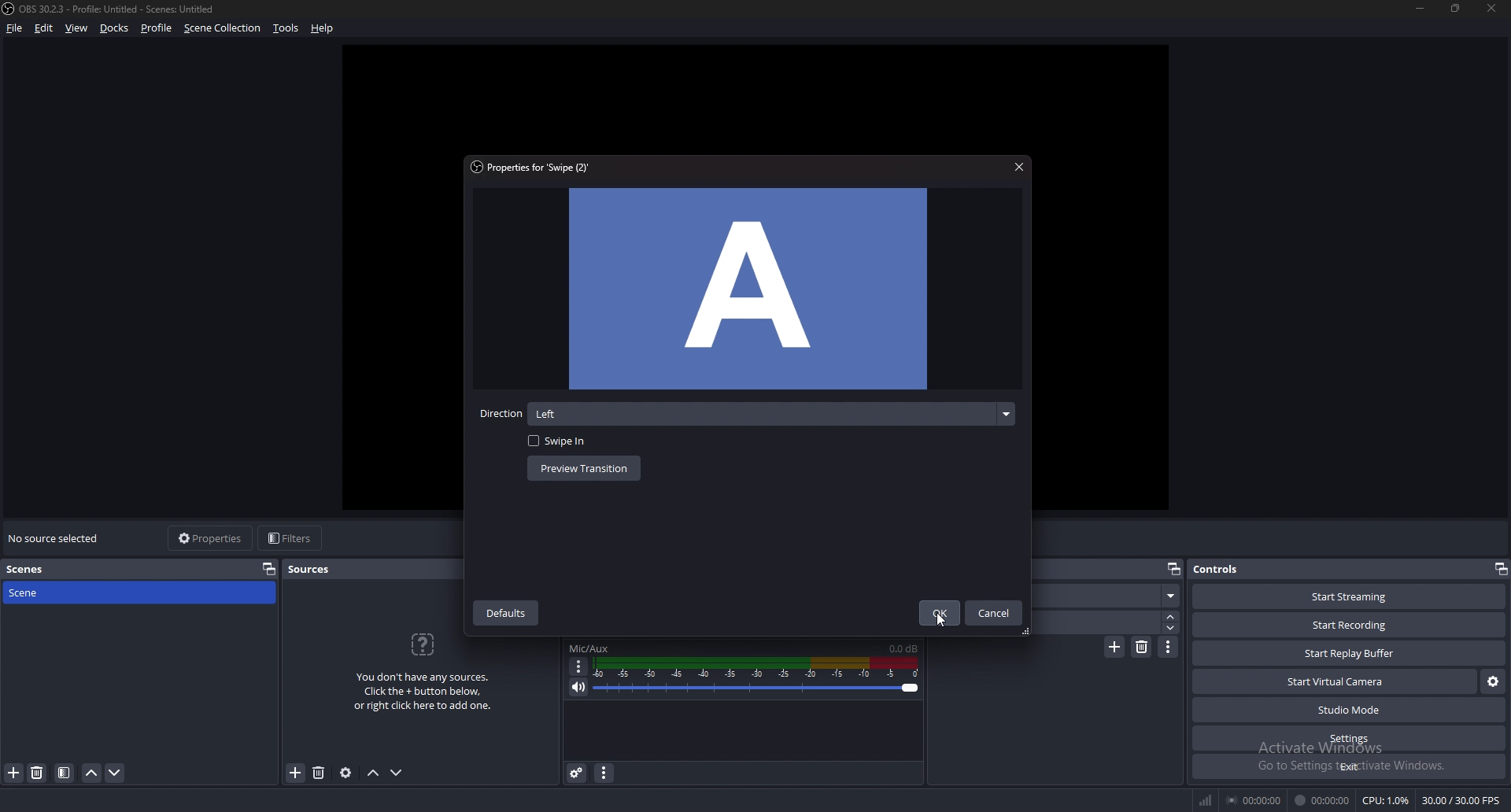 Image resolution: width=1511 pixels, height=812 pixels. What do you see at coordinates (295, 775) in the screenshot?
I see `add source` at bounding box center [295, 775].